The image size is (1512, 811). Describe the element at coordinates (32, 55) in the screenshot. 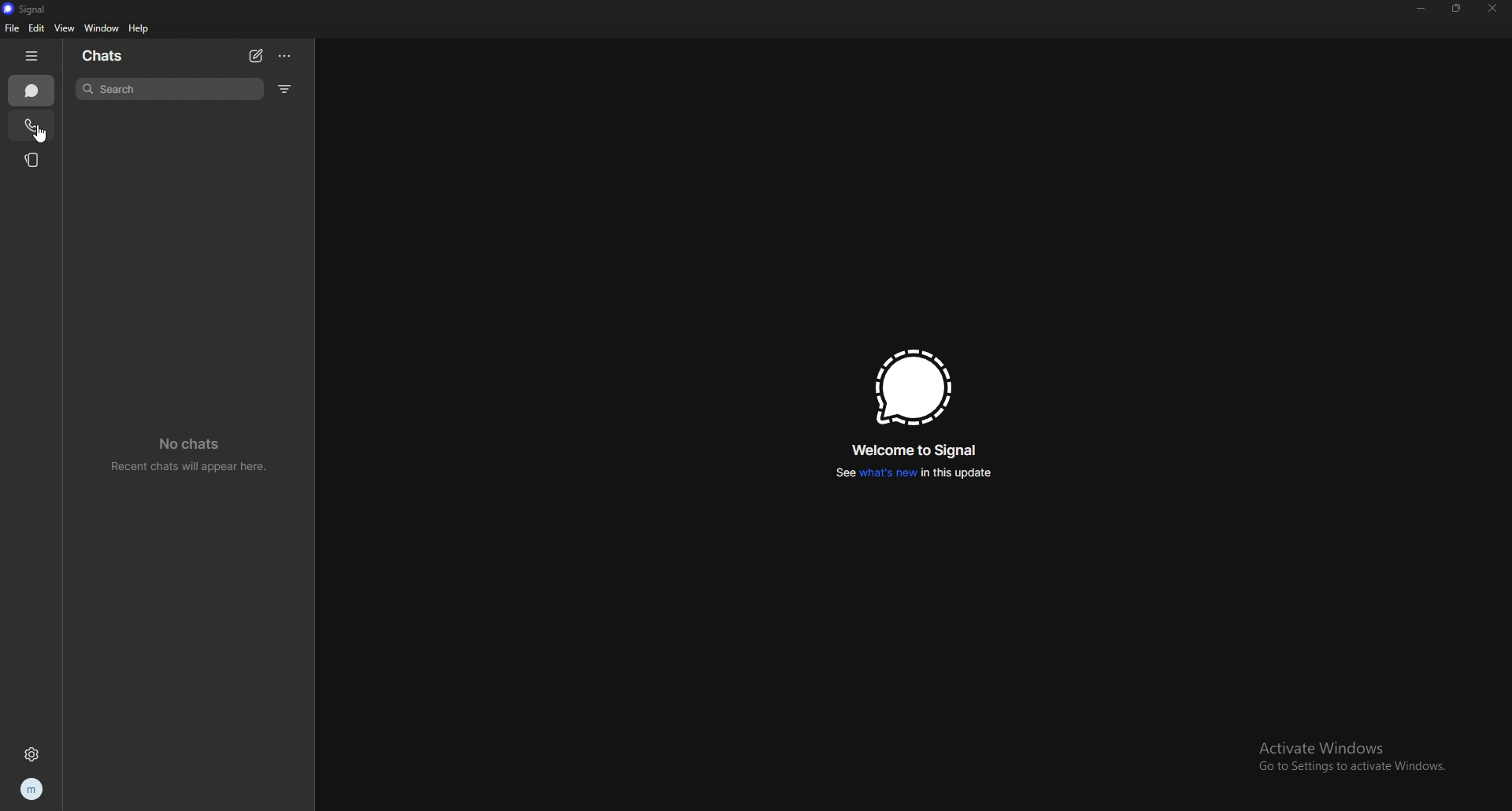

I see `hide tab` at that location.